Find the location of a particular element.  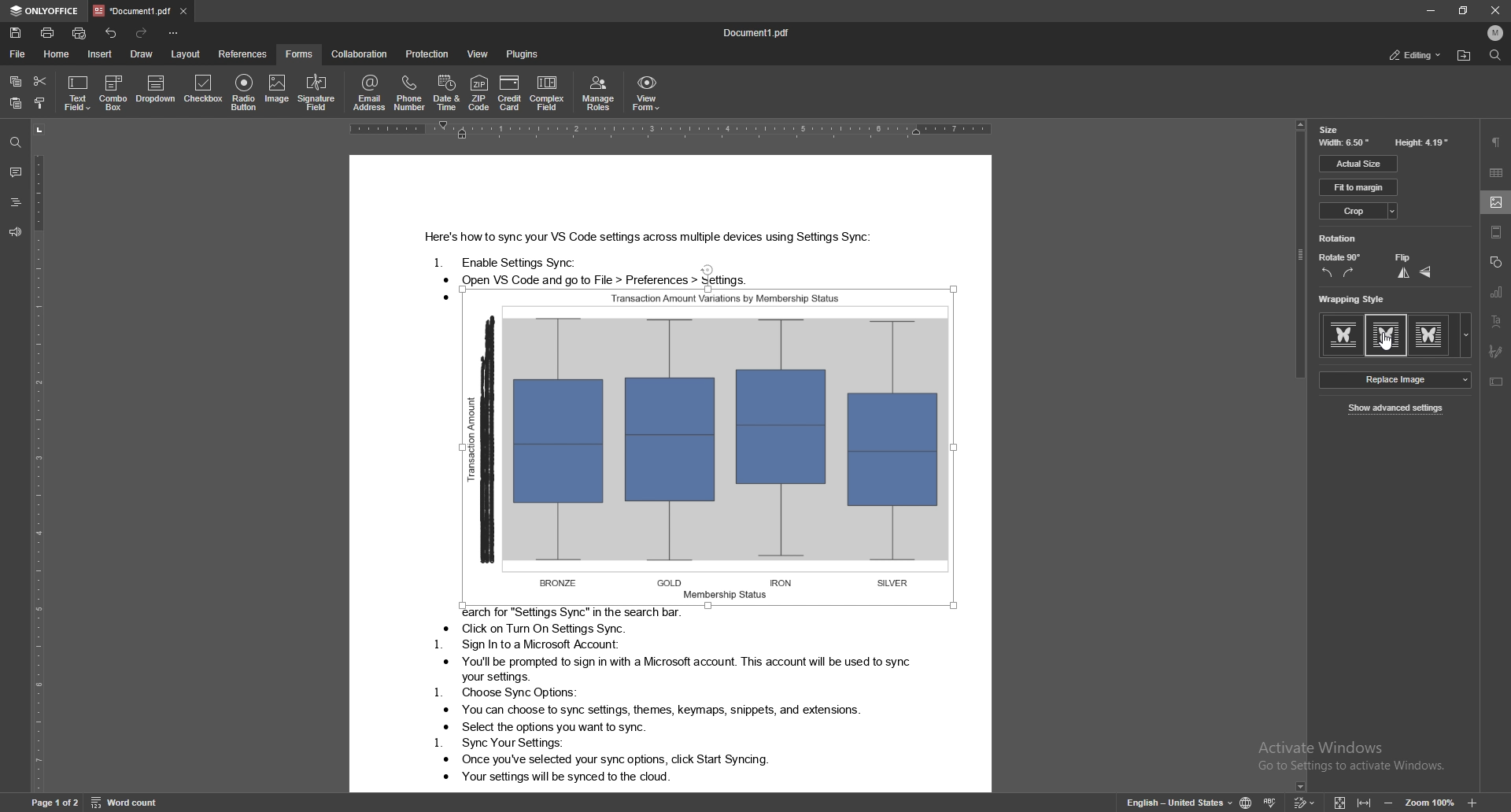

flip is located at coordinates (1402, 257).